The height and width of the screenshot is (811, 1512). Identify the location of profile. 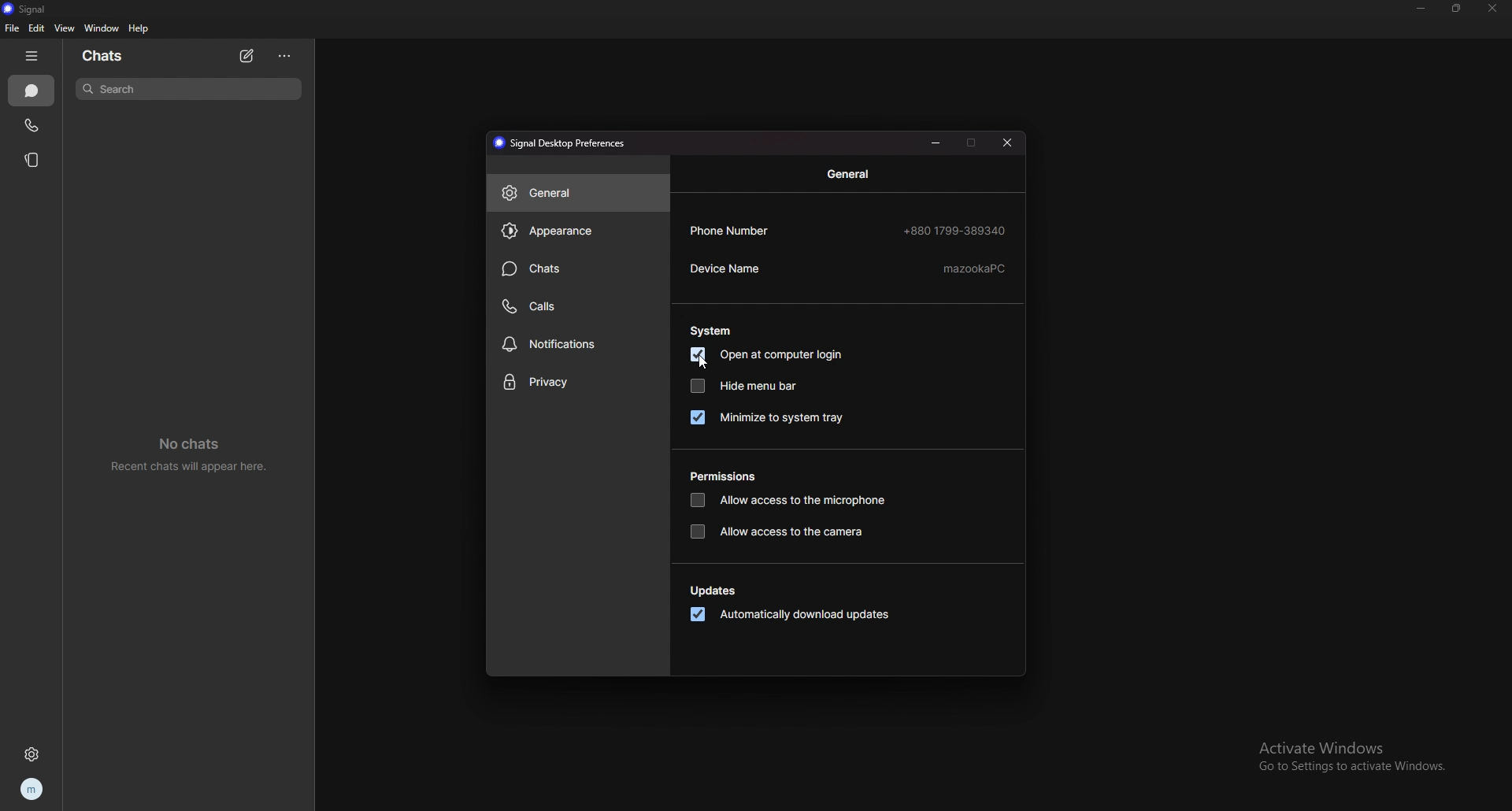
(30, 791).